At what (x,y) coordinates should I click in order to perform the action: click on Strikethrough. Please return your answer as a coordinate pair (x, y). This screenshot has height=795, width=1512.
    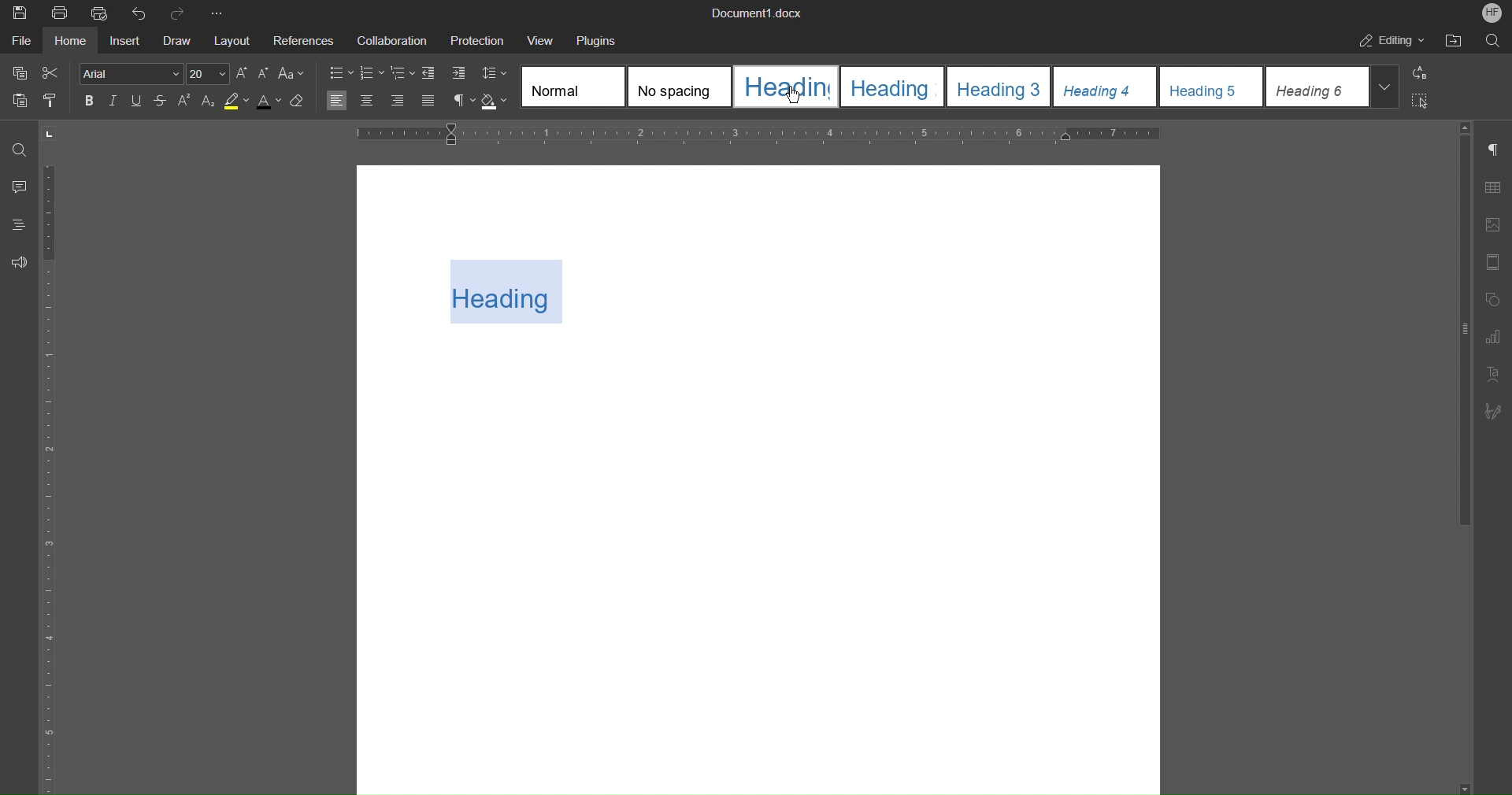
    Looking at the image, I should click on (162, 102).